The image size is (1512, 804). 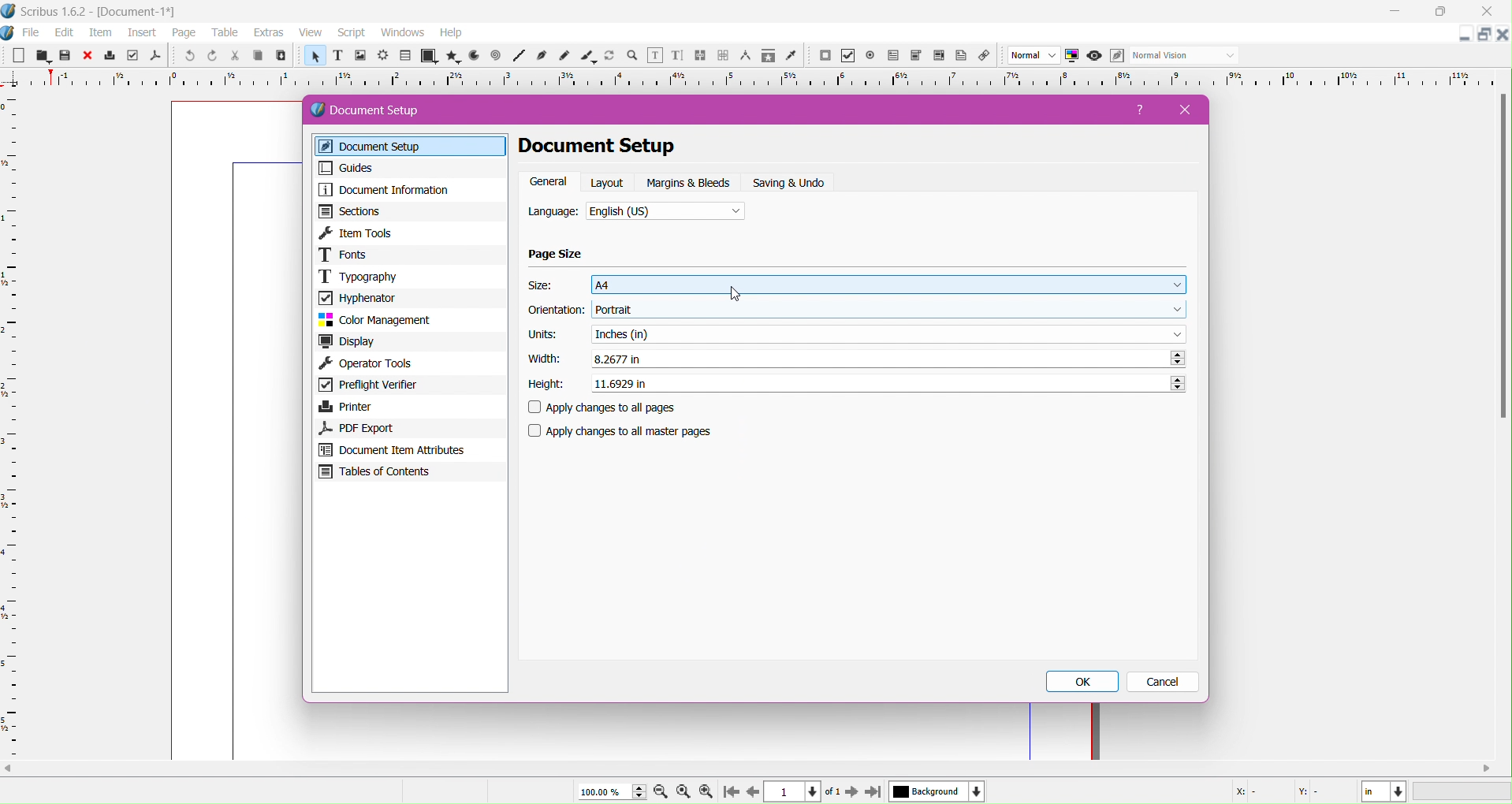 What do you see at coordinates (1500, 260) in the screenshot?
I see `Scroll` at bounding box center [1500, 260].